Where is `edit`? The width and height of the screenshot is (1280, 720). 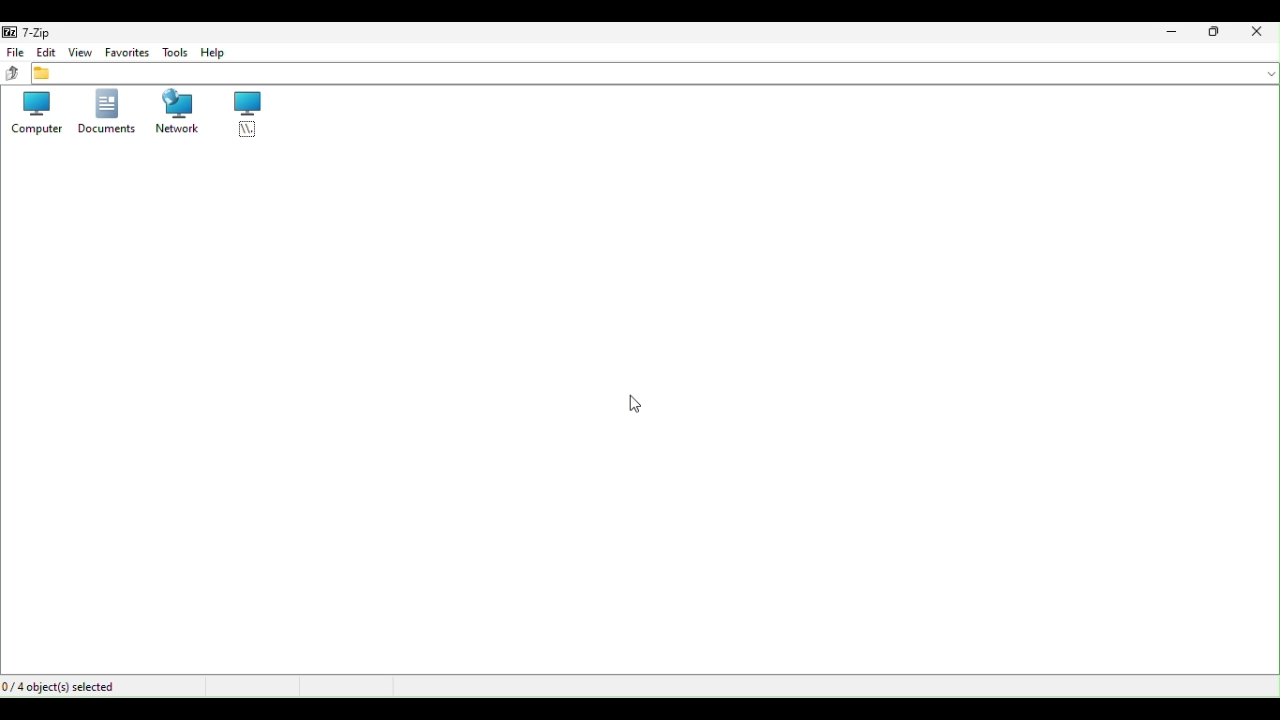 edit is located at coordinates (47, 52).